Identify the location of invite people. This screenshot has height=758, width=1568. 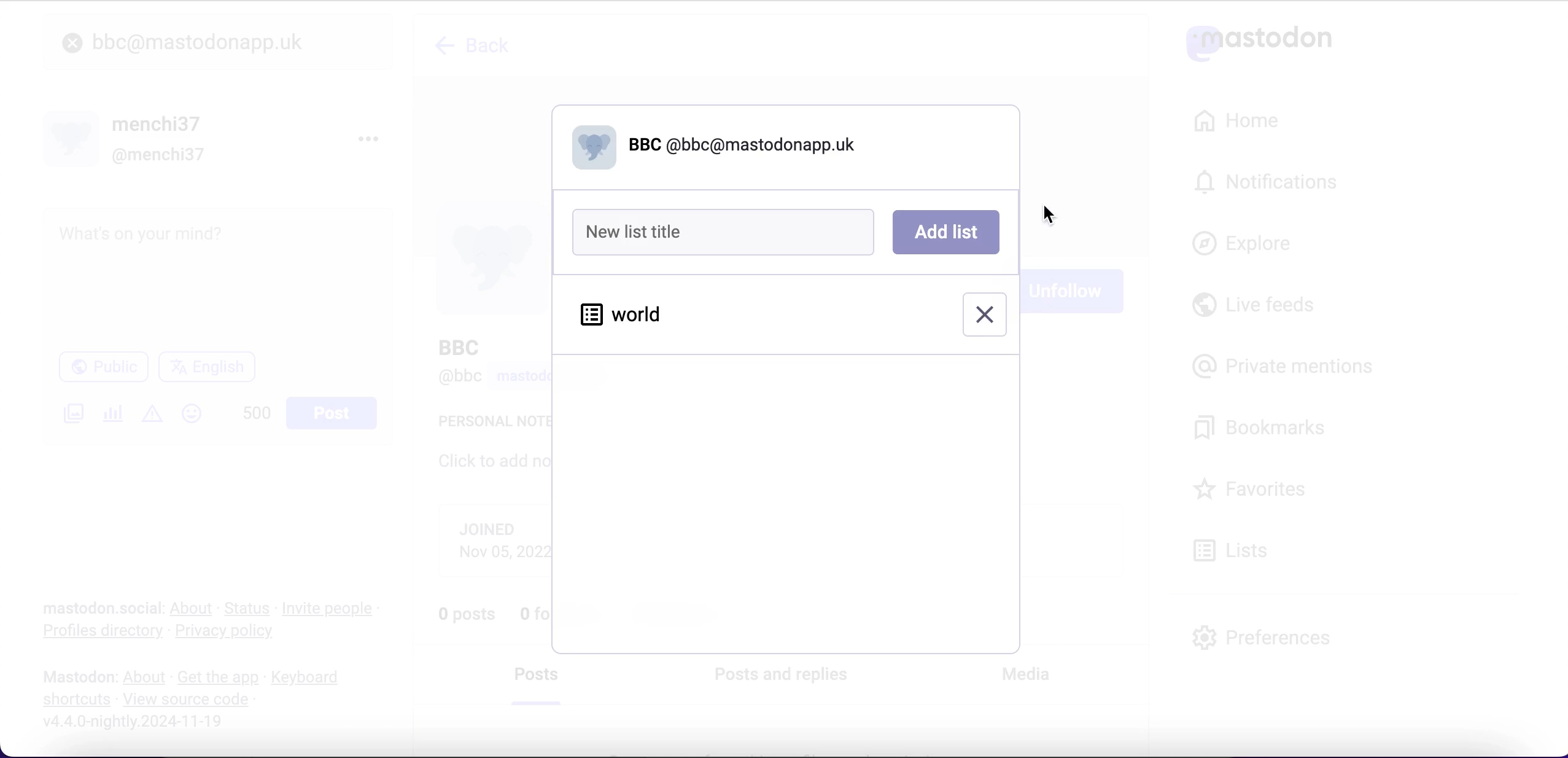
(334, 609).